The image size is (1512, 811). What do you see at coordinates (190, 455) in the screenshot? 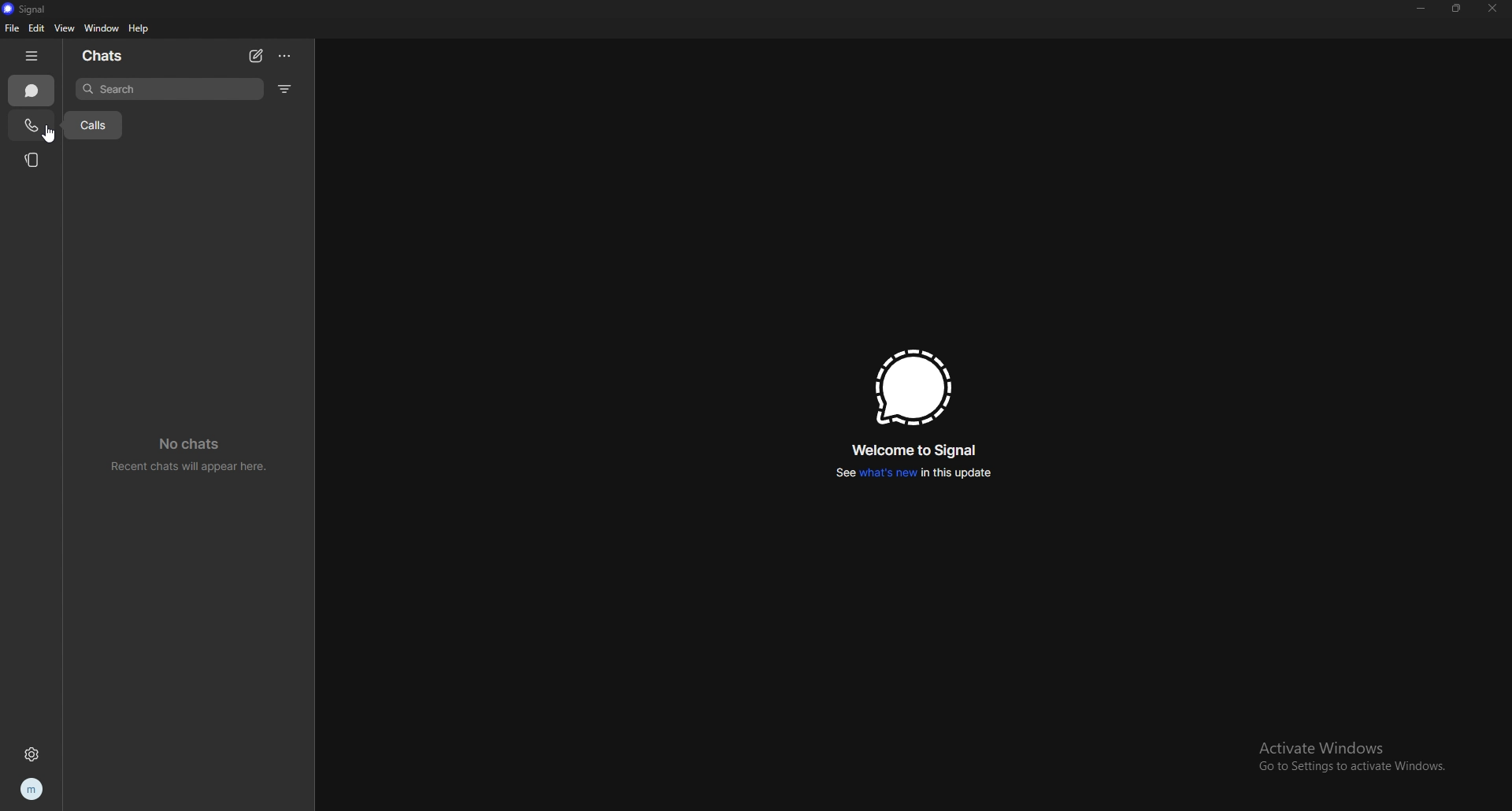
I see `no chats recent chats will appear here` at bounding box center [190, 455].